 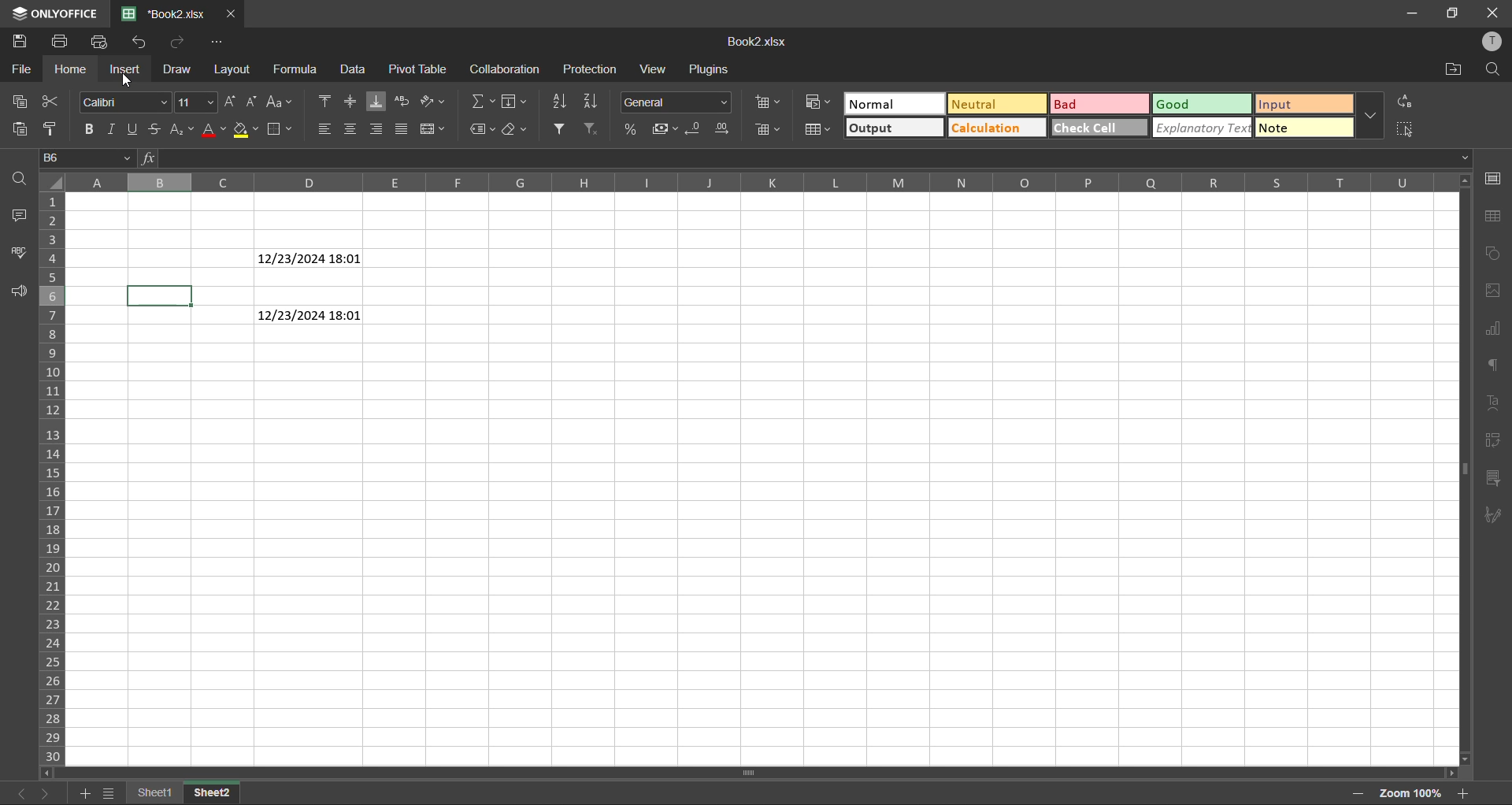 What do you see at coordinates (1496, 515) in the screenshot?
I see `signature` at bounding box center [1496, 515].